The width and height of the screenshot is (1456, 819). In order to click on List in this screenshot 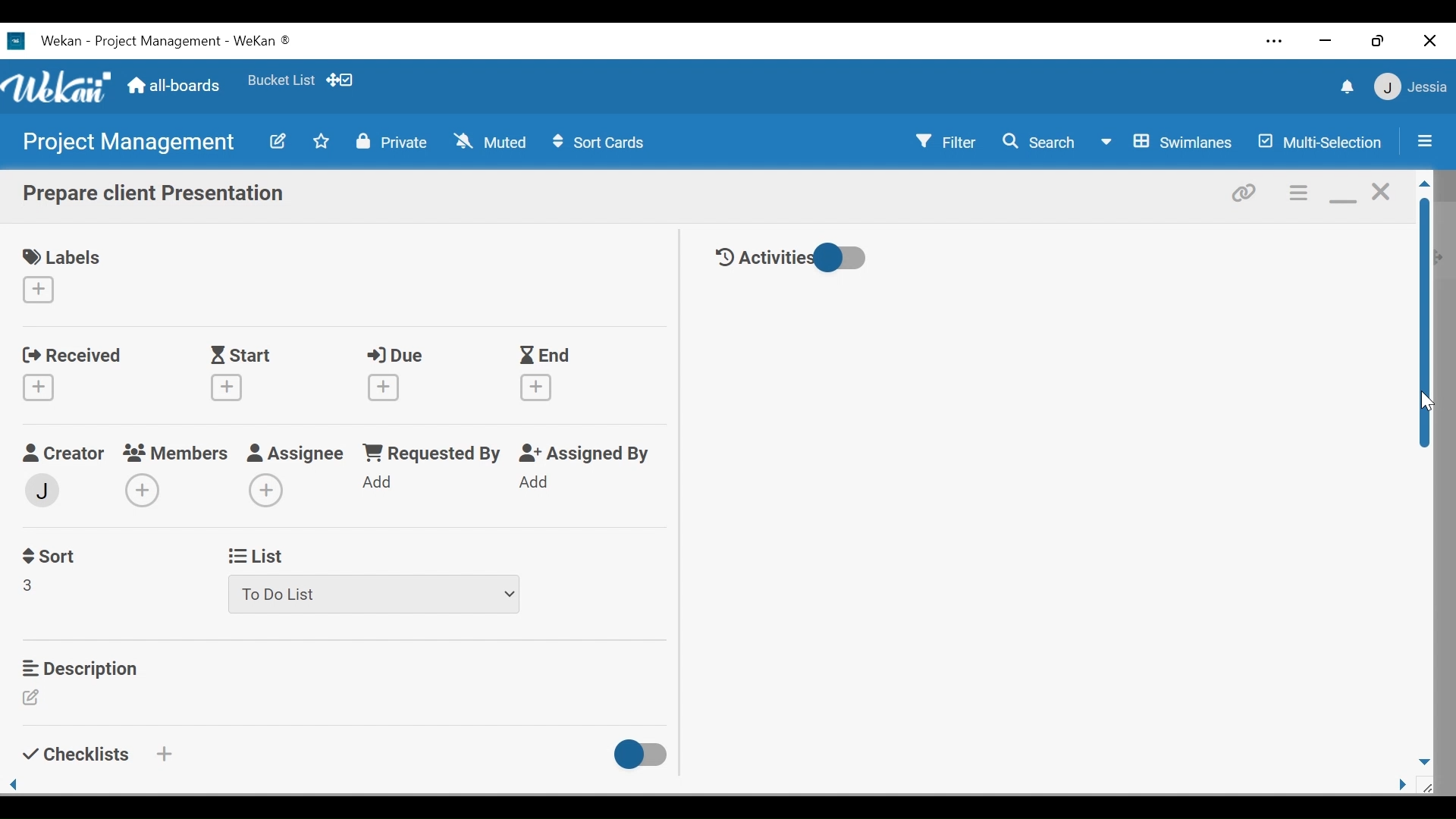, I will do `click(254, 556)`.